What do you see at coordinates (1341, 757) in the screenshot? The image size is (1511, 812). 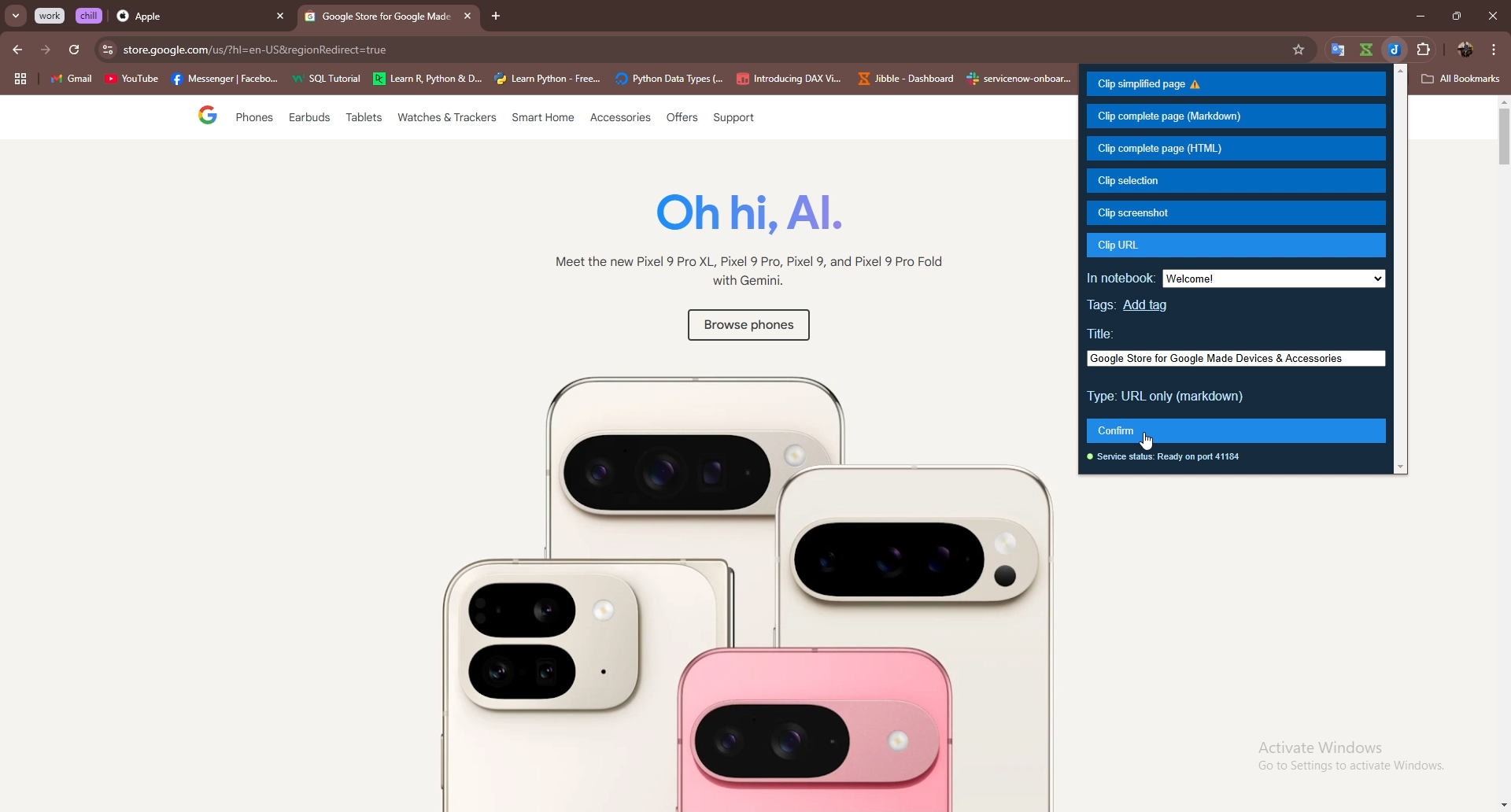 I see `Activate Windows
Go to Settings to activate Windows.` at bounding box center [1341, 757].